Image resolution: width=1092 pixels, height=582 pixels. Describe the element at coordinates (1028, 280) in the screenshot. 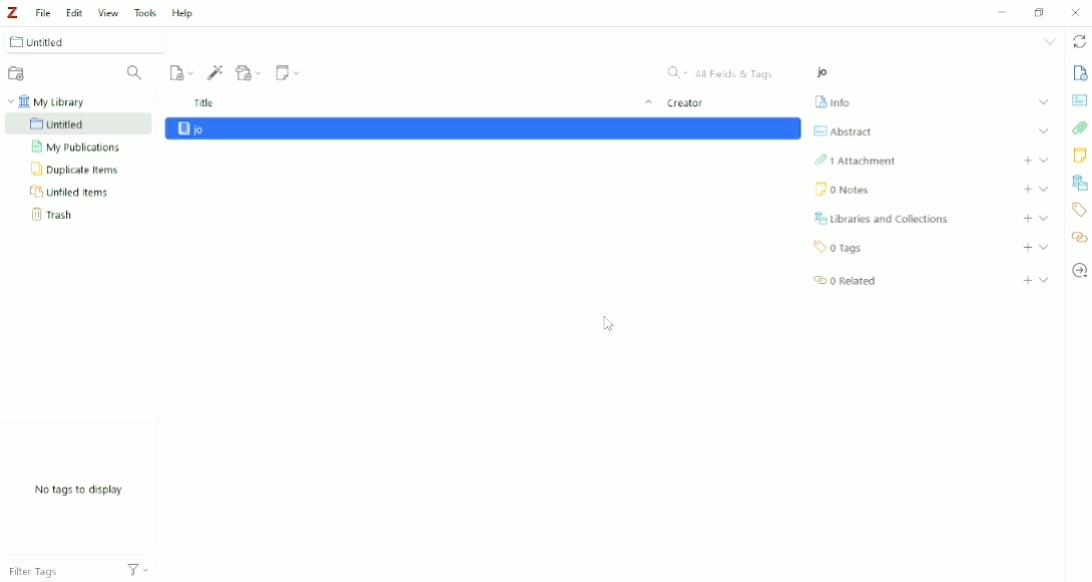

I see `Add` at that location.